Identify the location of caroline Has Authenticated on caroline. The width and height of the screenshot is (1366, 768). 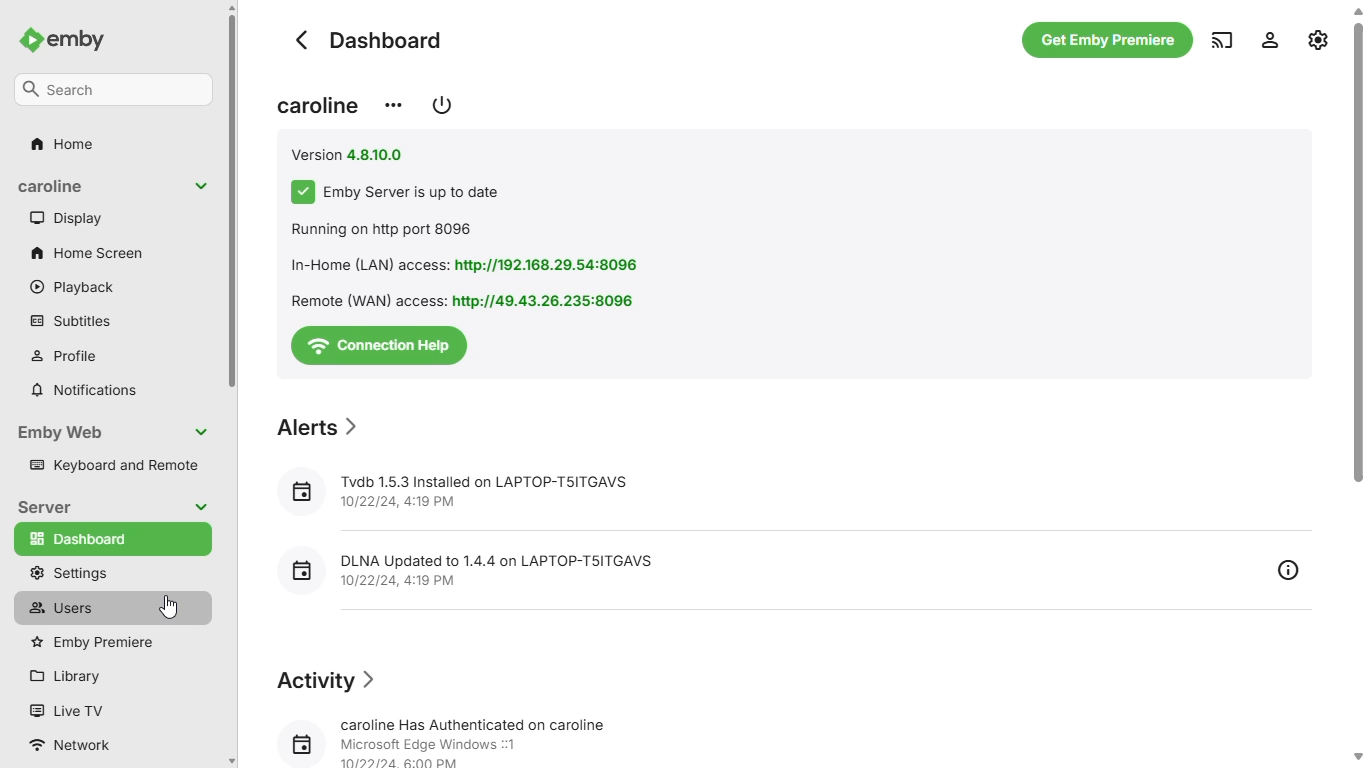
(475, 726).